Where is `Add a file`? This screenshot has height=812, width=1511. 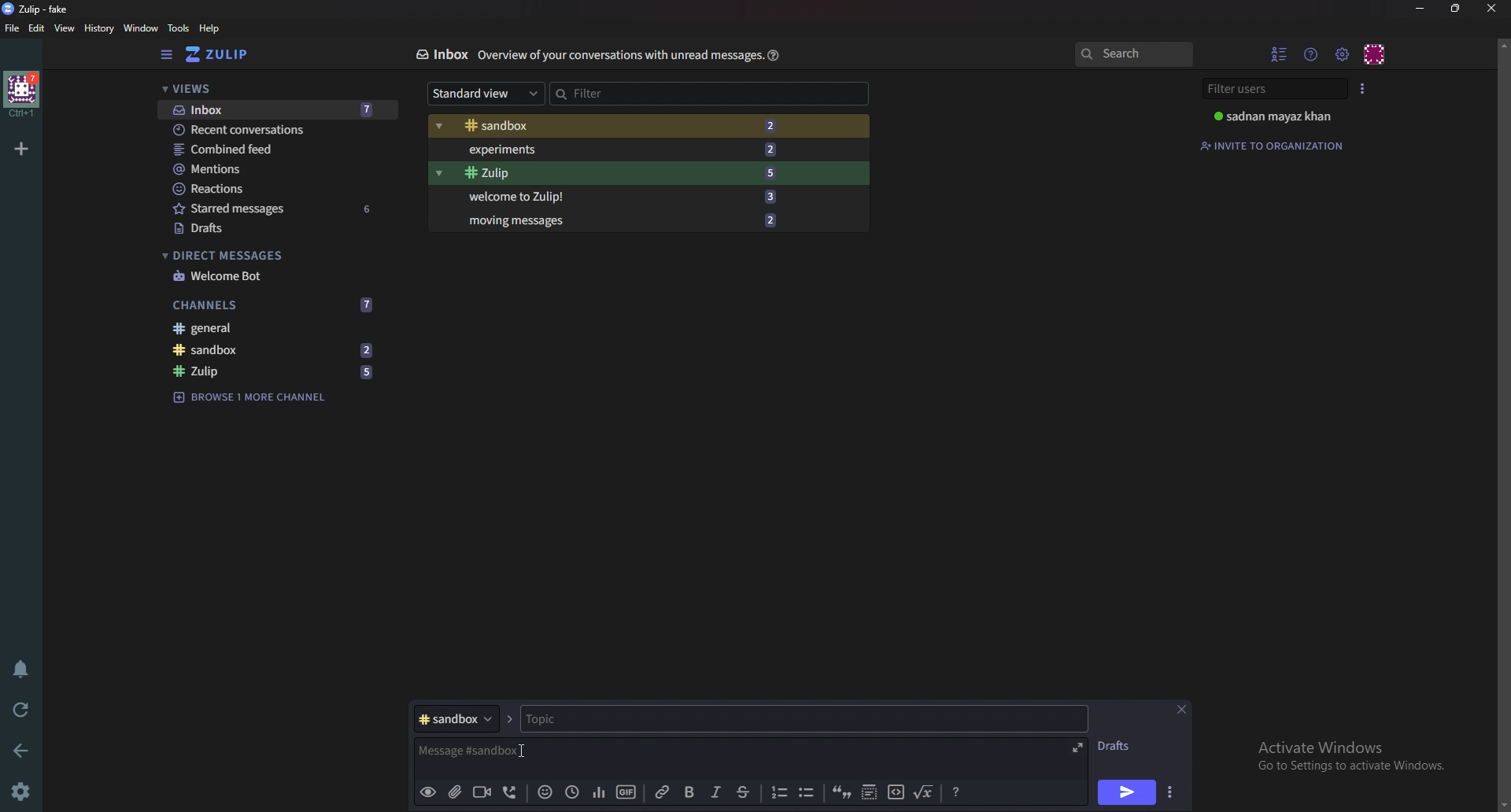
Add a file is located at coordinates (453, 793).